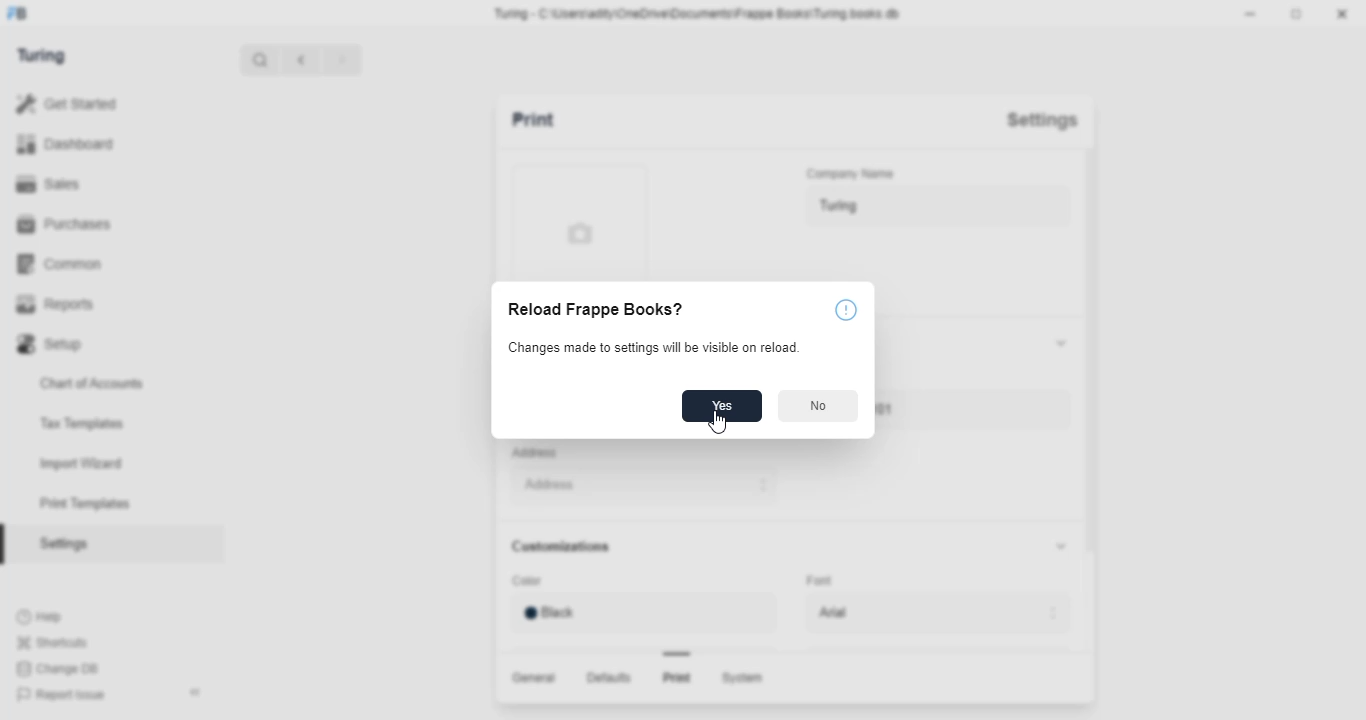 The height and width of the screenshot is (720, 1366). Describe the element at coordinates (197, 692) in the screenshot. I see `collapse` at that location.